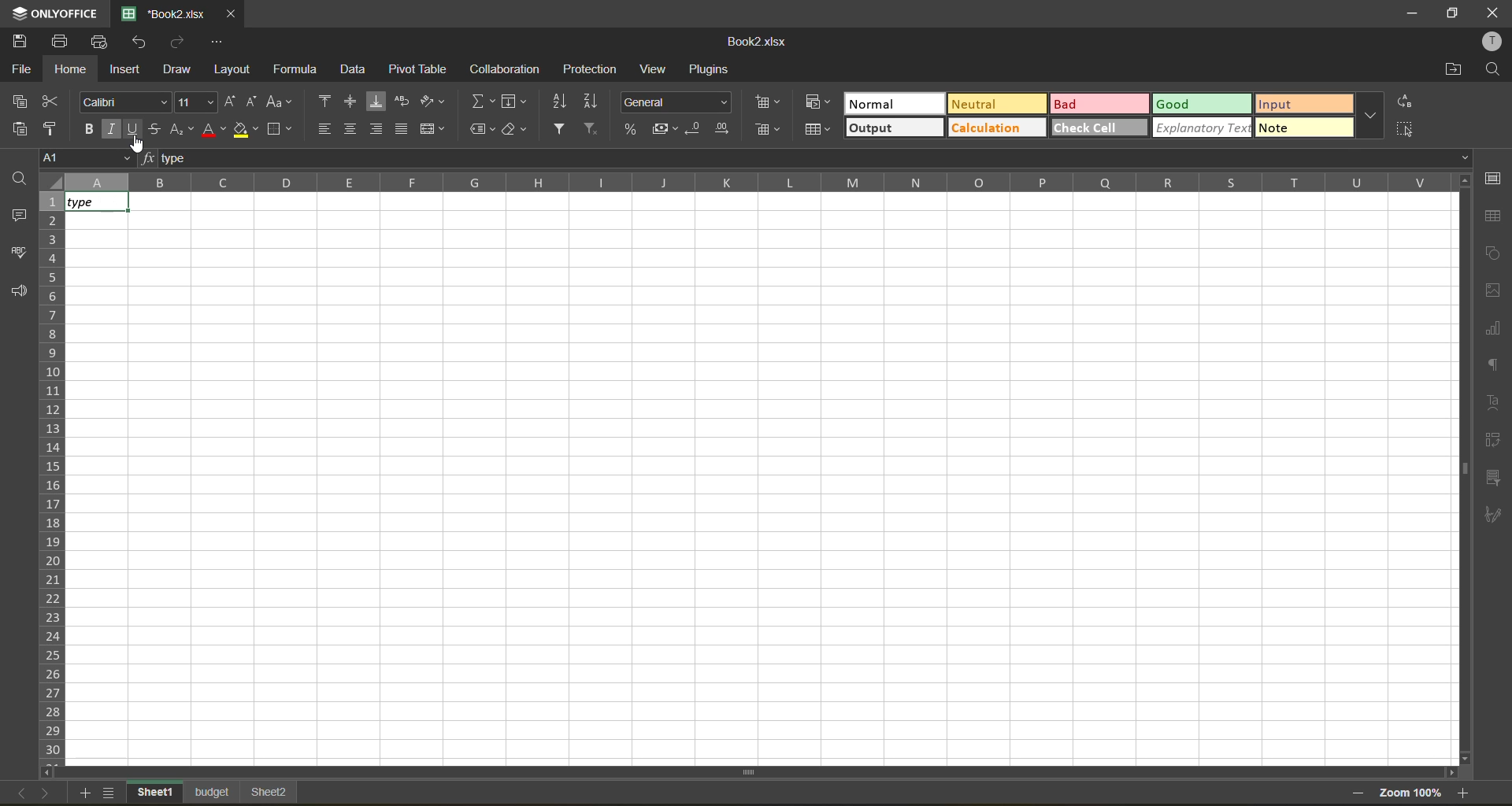  Describe the element at coordinates (1407, 102) in the screenshot. I see `replace` at that location.